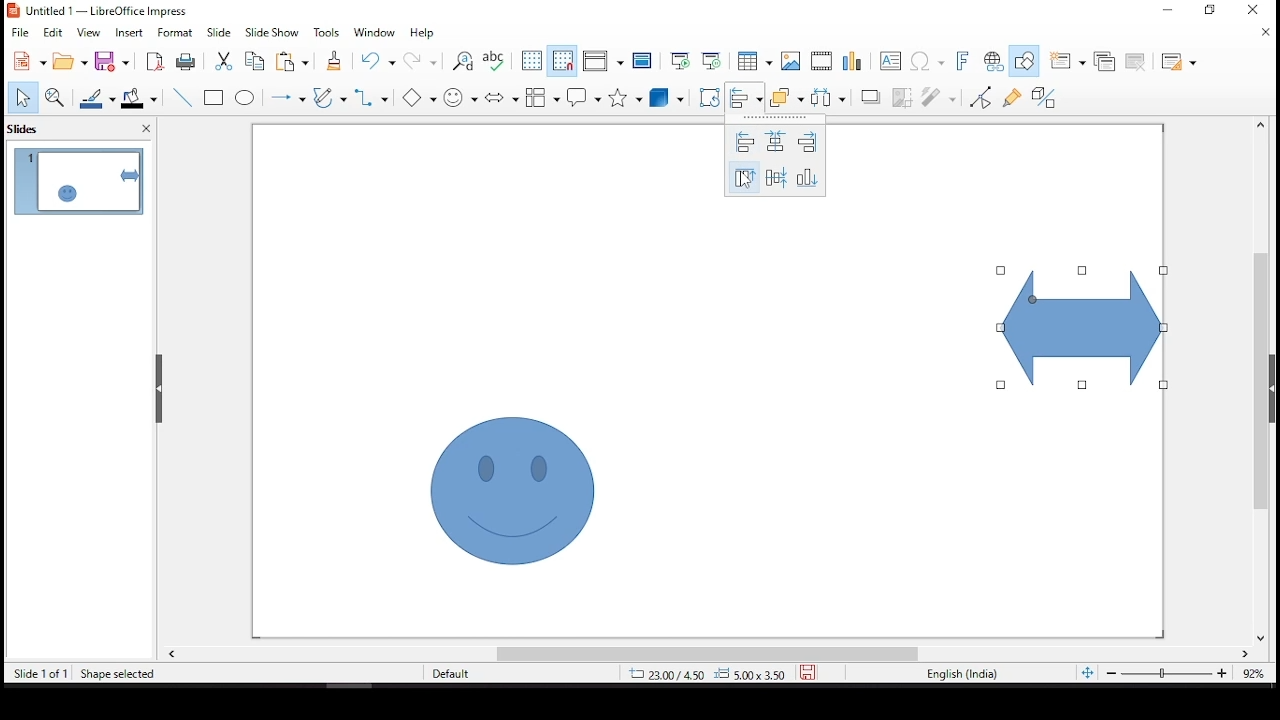  I want to click on export as pdf, so click(153, 61).